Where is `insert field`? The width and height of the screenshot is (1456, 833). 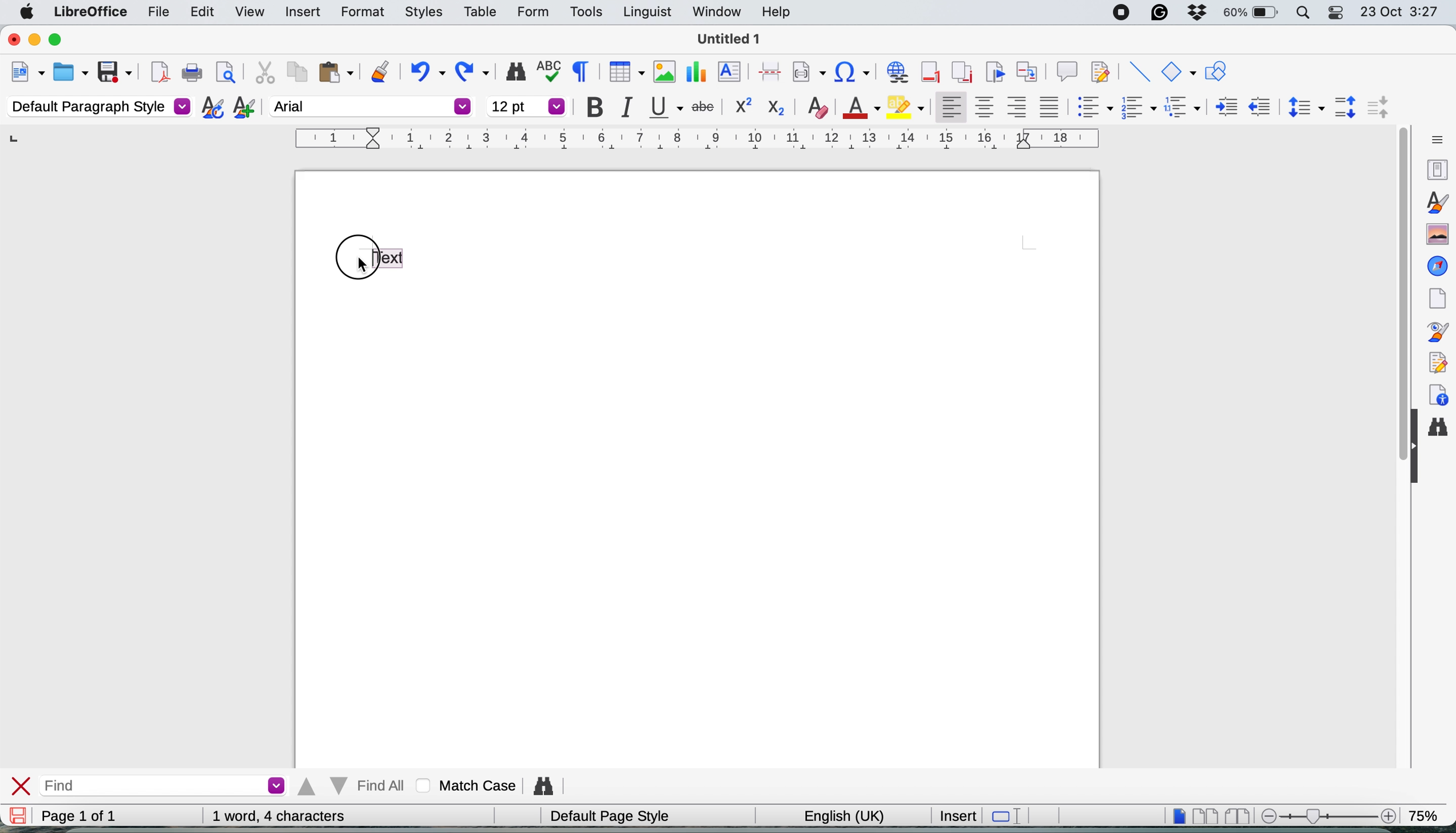 insert field is located at coordinates (810, 71).